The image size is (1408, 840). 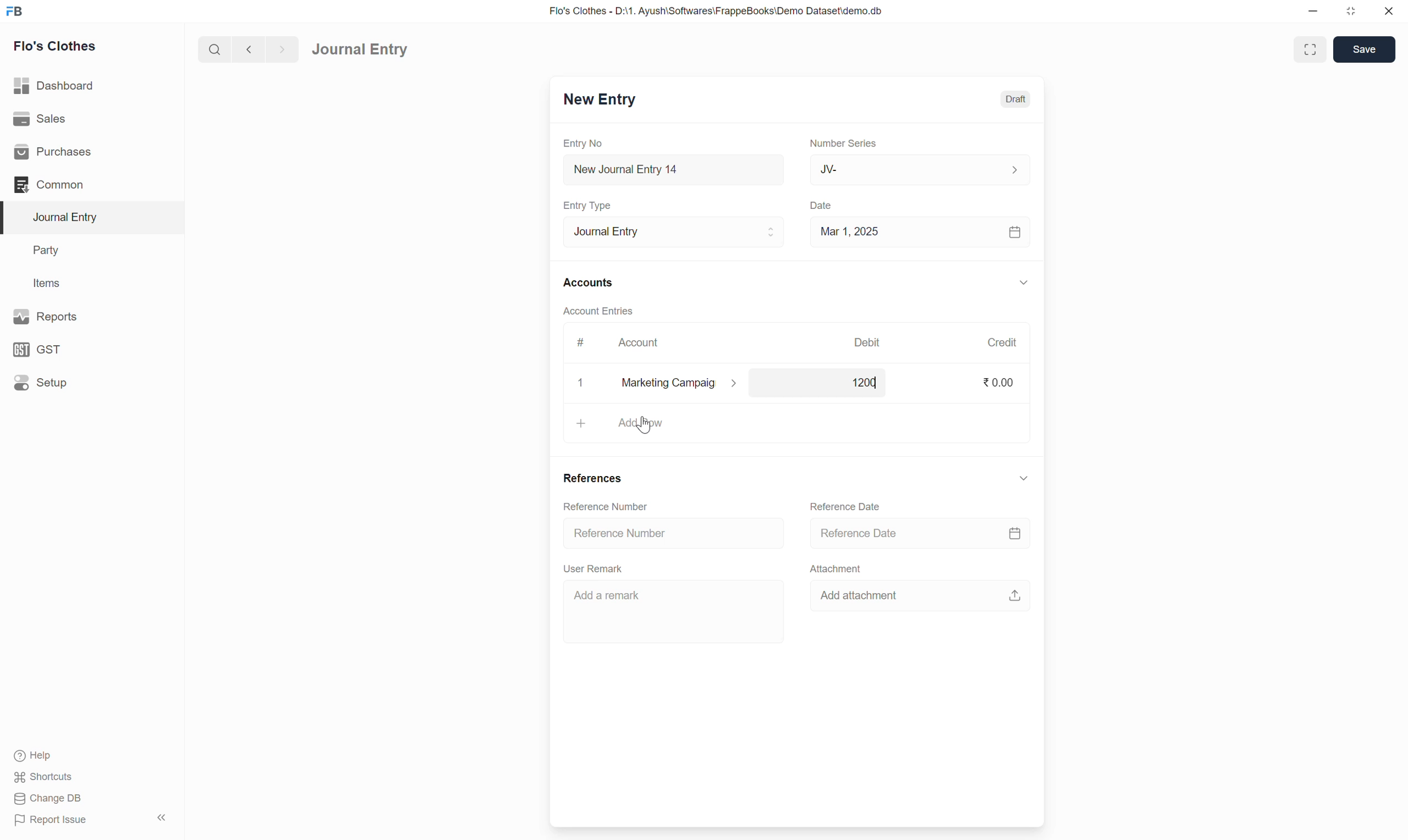 I want to click on Add attachment, so click(x=869, y=596).